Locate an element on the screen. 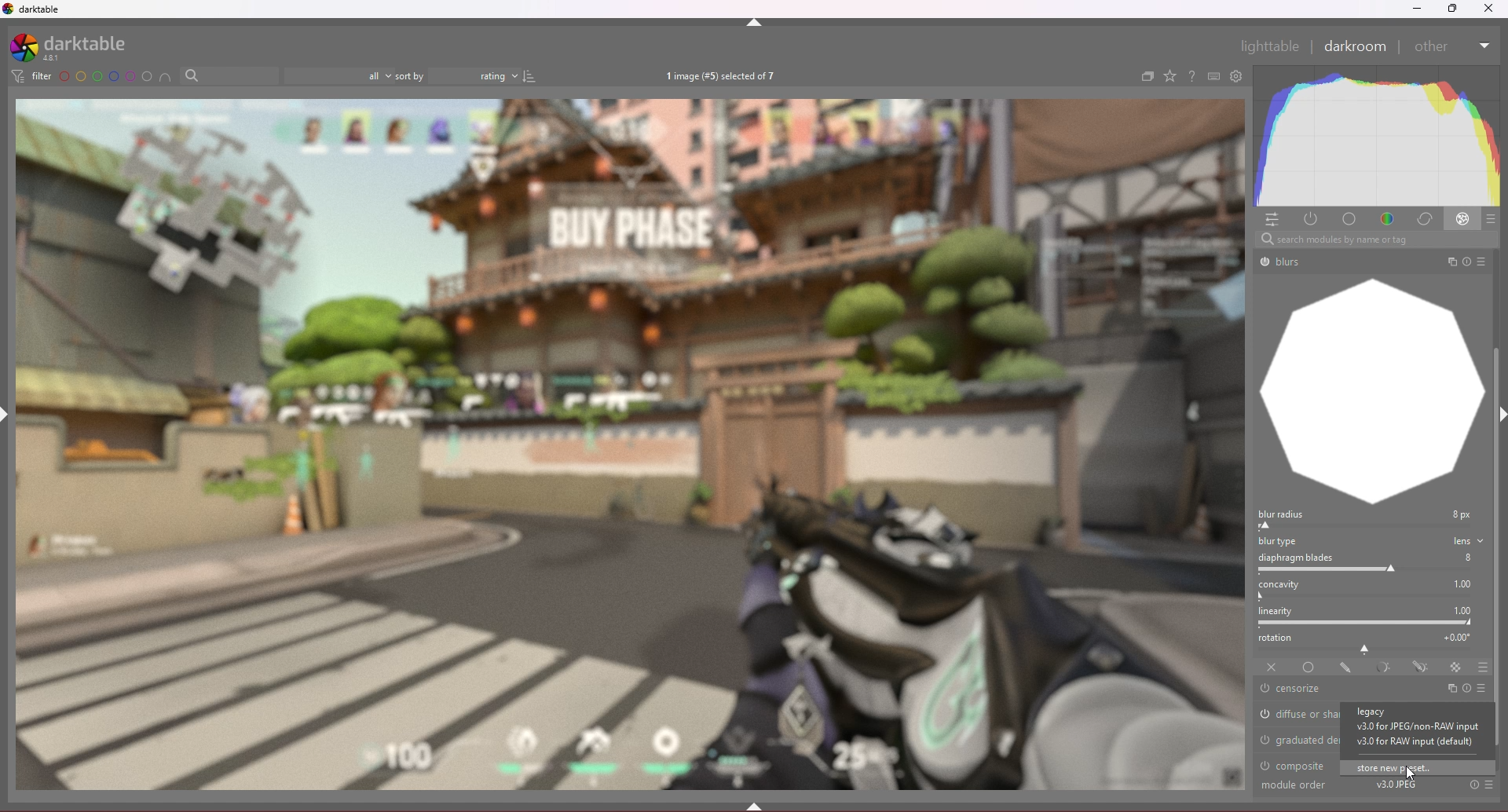 This screenshot has height=812, width=1508. effect is located at coordinates (1463, 218).